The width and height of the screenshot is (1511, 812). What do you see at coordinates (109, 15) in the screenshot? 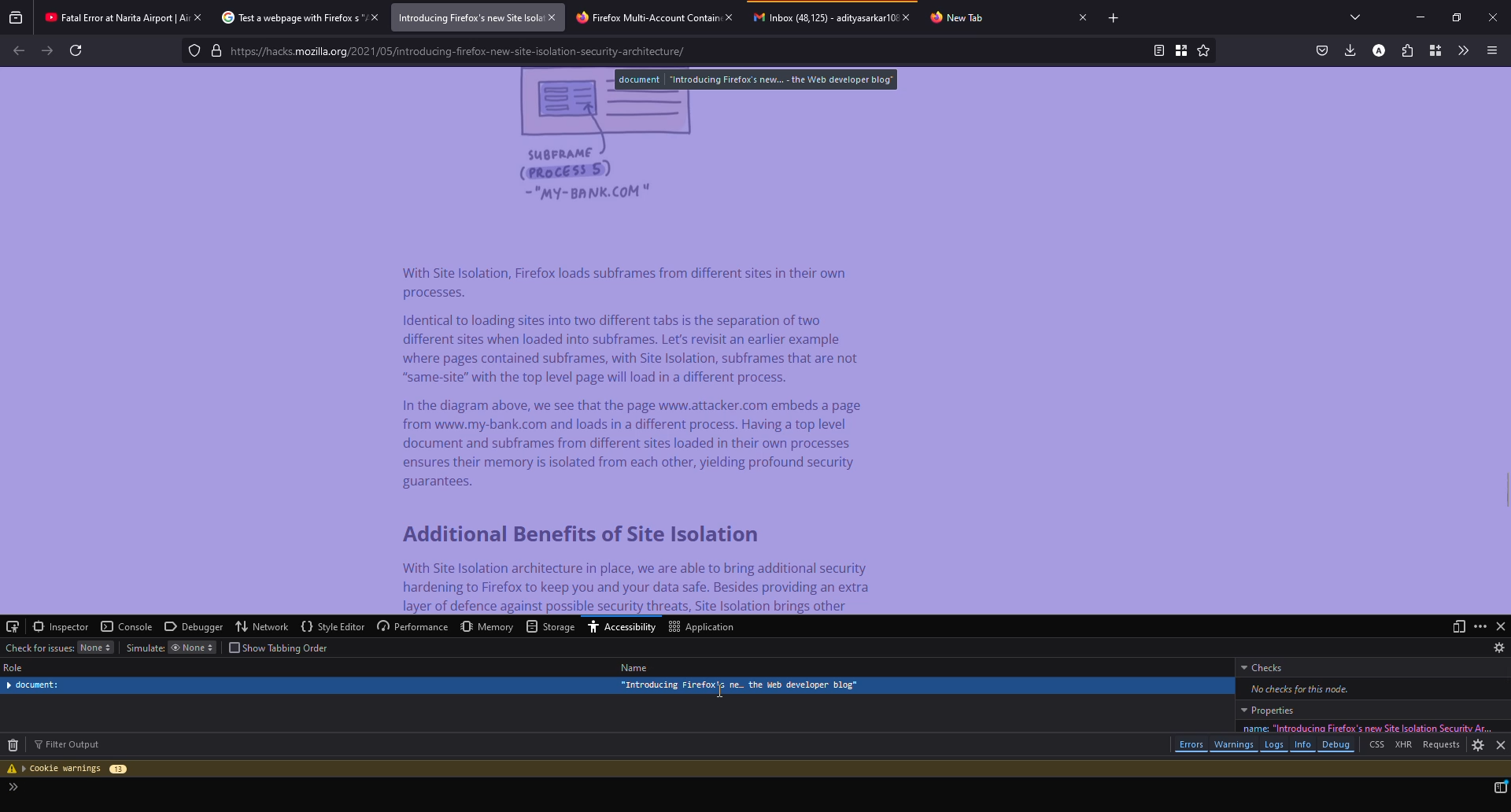
I see `Fatal Error at Narita Airport| Ai` at bounding box center [109, 15].